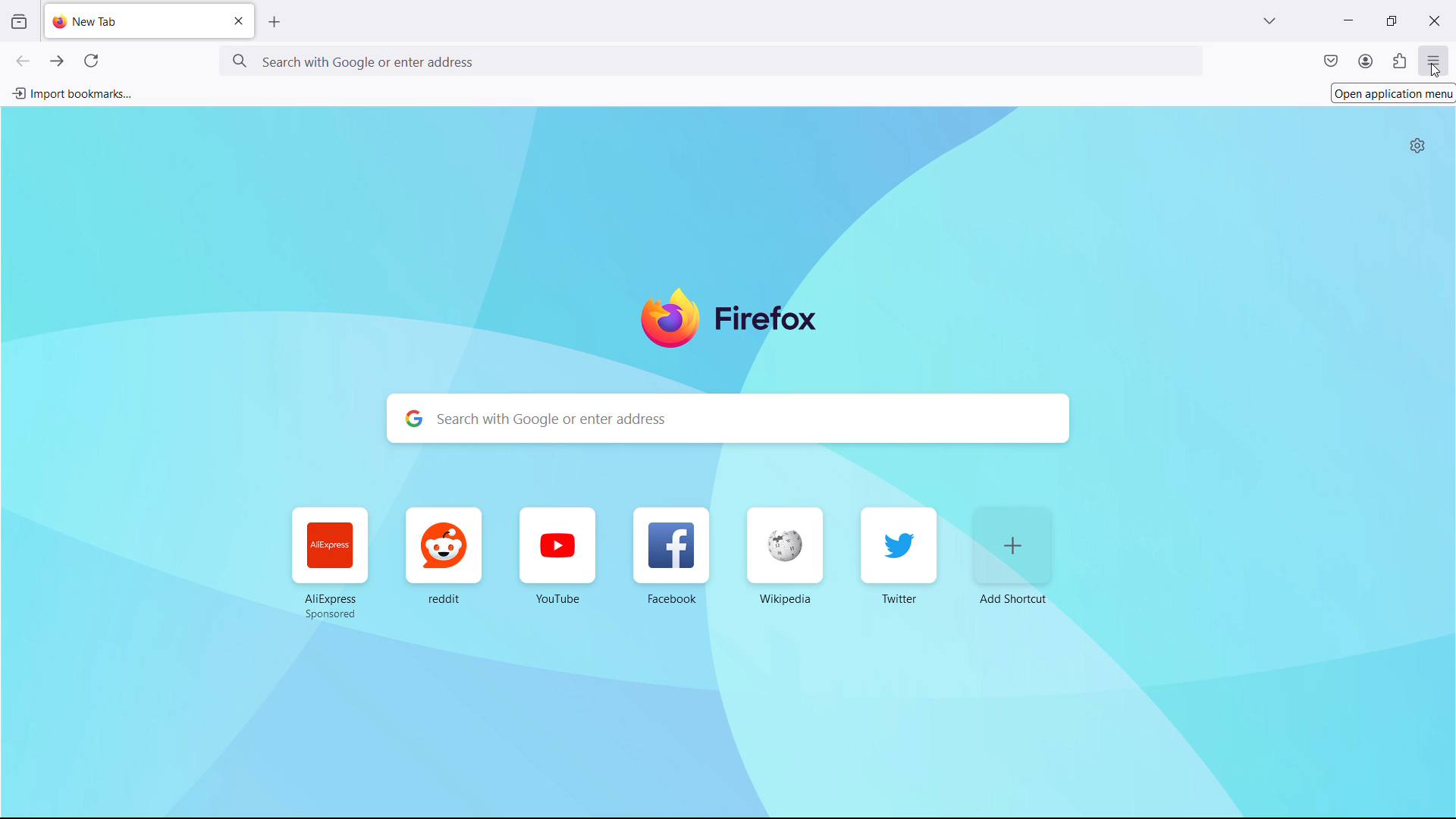 The image size is (1456, 819). What do you see at coordinates (1013, 556) in the screenshot?
I see `add shortcut` at bounding box center [1013, 556].